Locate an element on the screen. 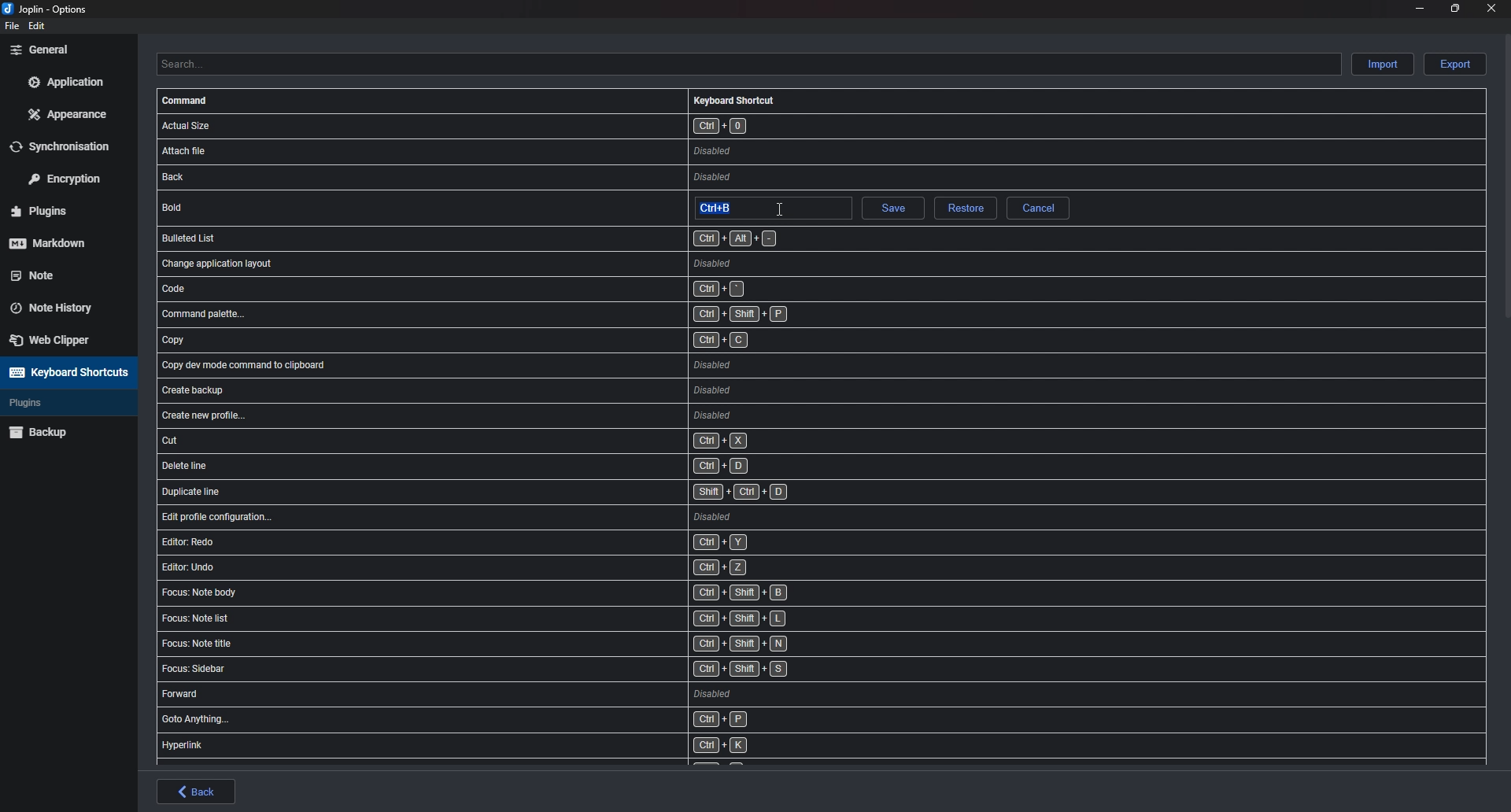 The width and height of the screenshot is (1511, 812). shortcut is located at coordinates (467, 238).